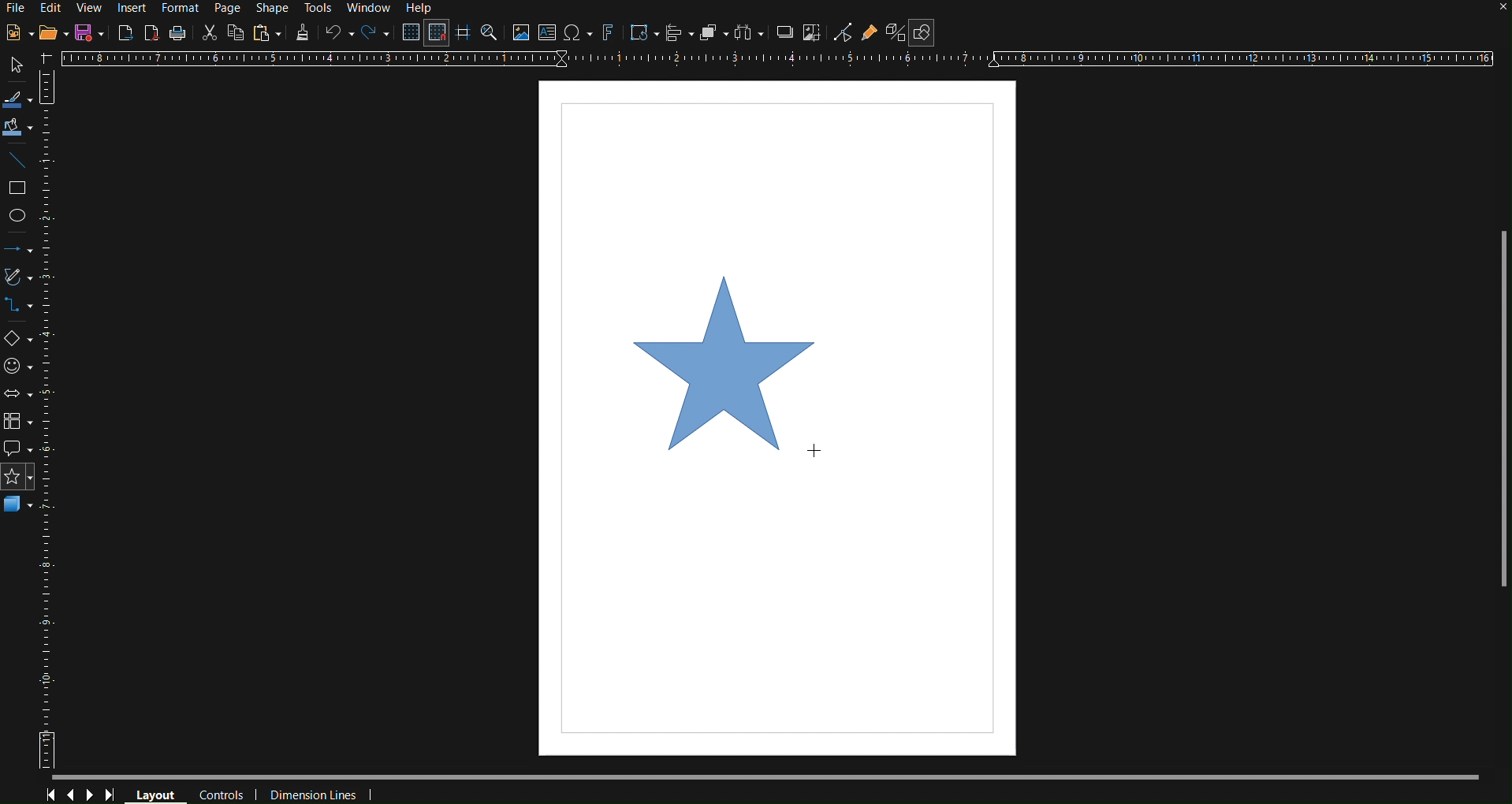 This screenshot has height=804, width=1512. Describe the element at coordinates (609, 34) in the screenshot. I see `Fontwork` at that location.